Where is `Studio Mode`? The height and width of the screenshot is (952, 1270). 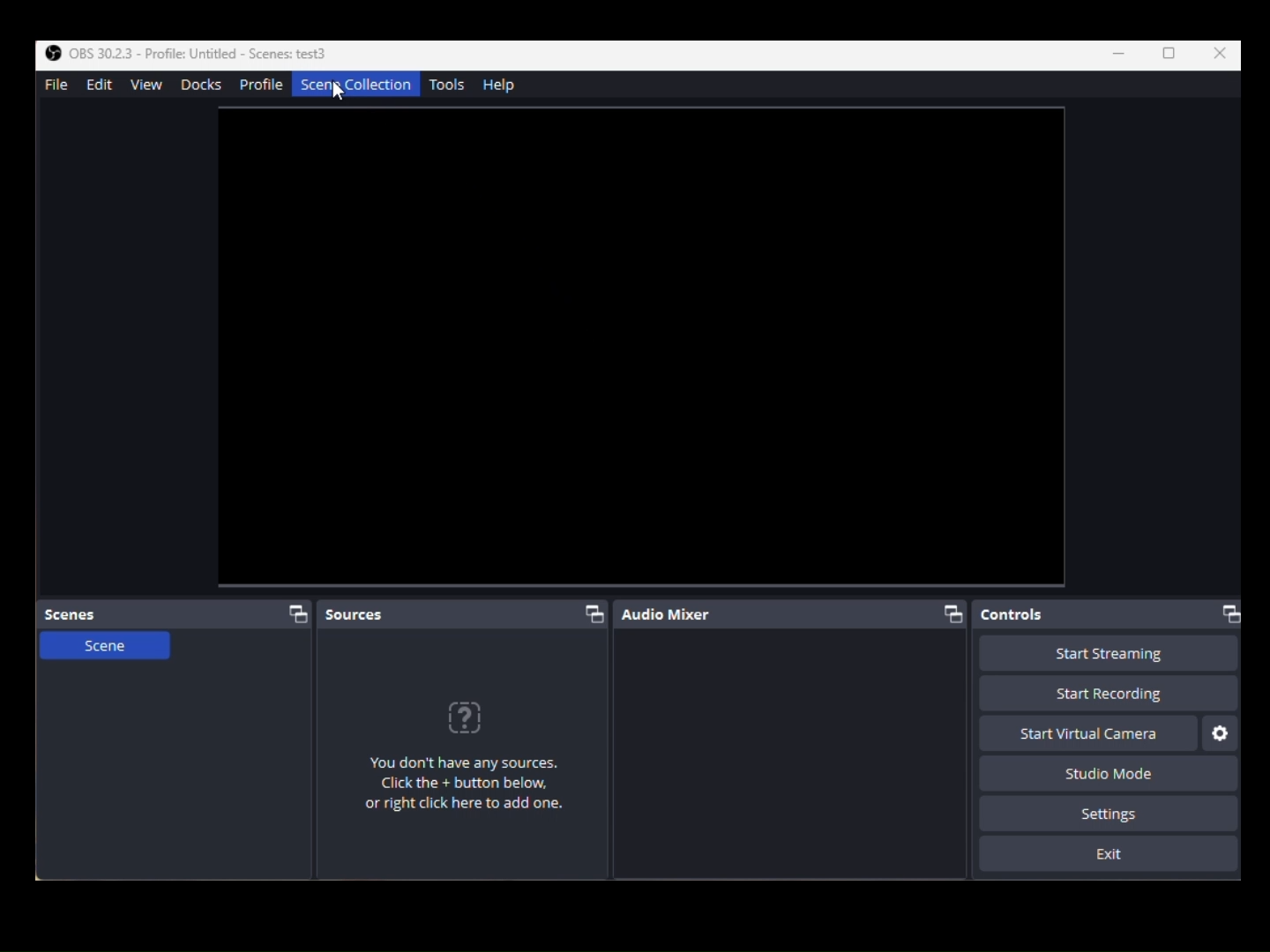
Studio Mode is located at coordinates (1102, 772).